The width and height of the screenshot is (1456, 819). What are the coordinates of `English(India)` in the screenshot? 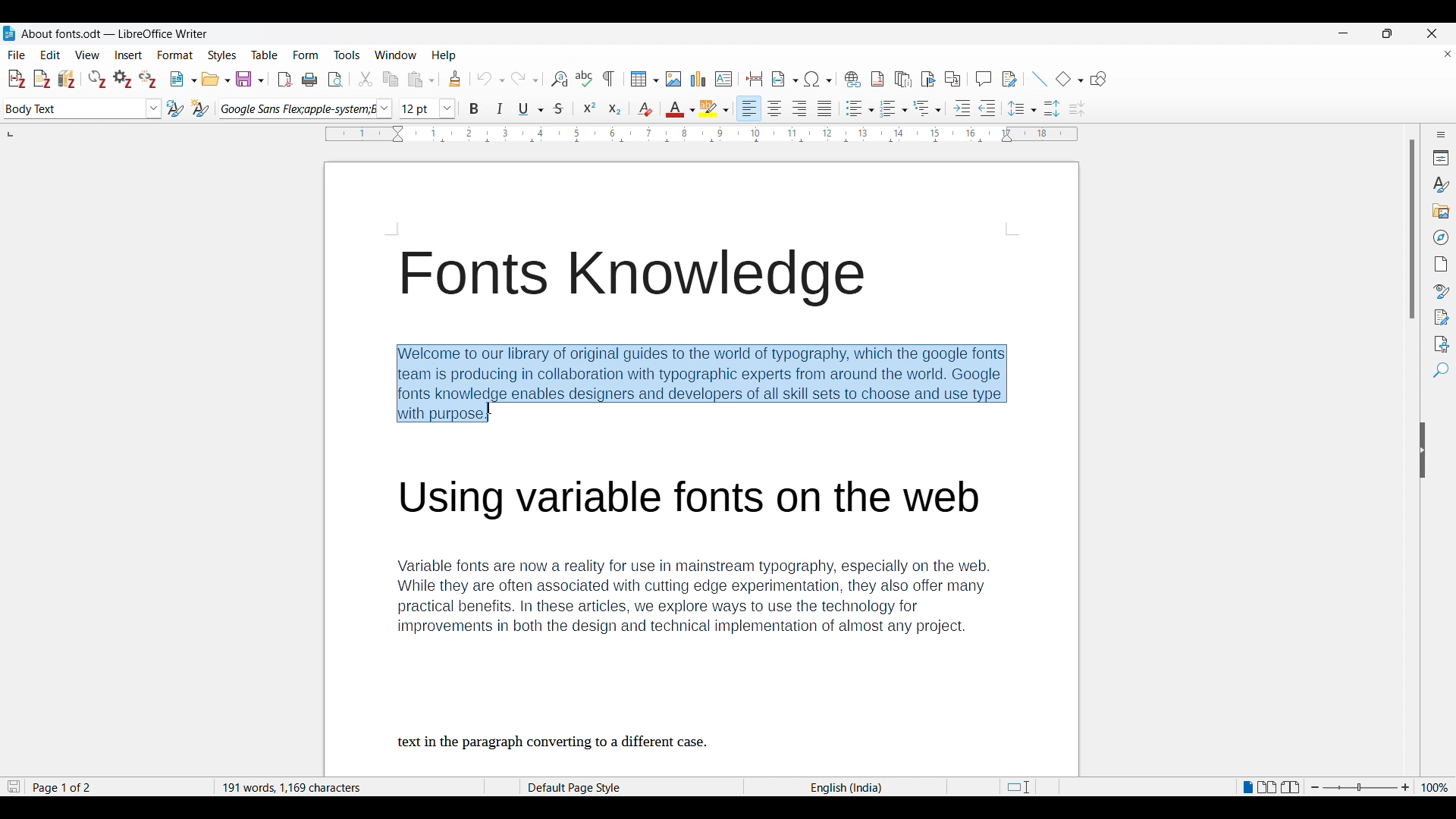 It's located at (841, 787).